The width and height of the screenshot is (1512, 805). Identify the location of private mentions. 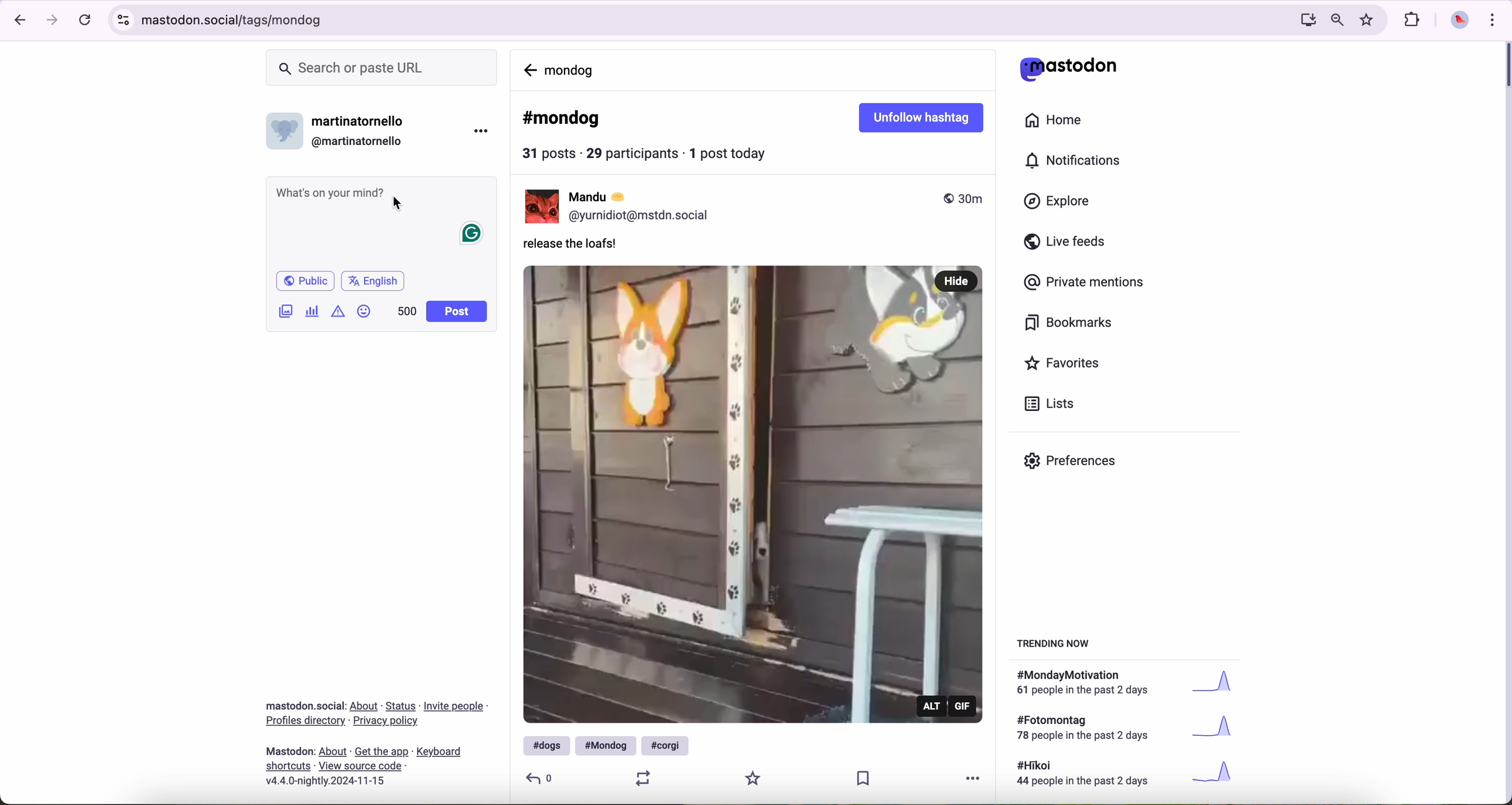
(1088, 284).